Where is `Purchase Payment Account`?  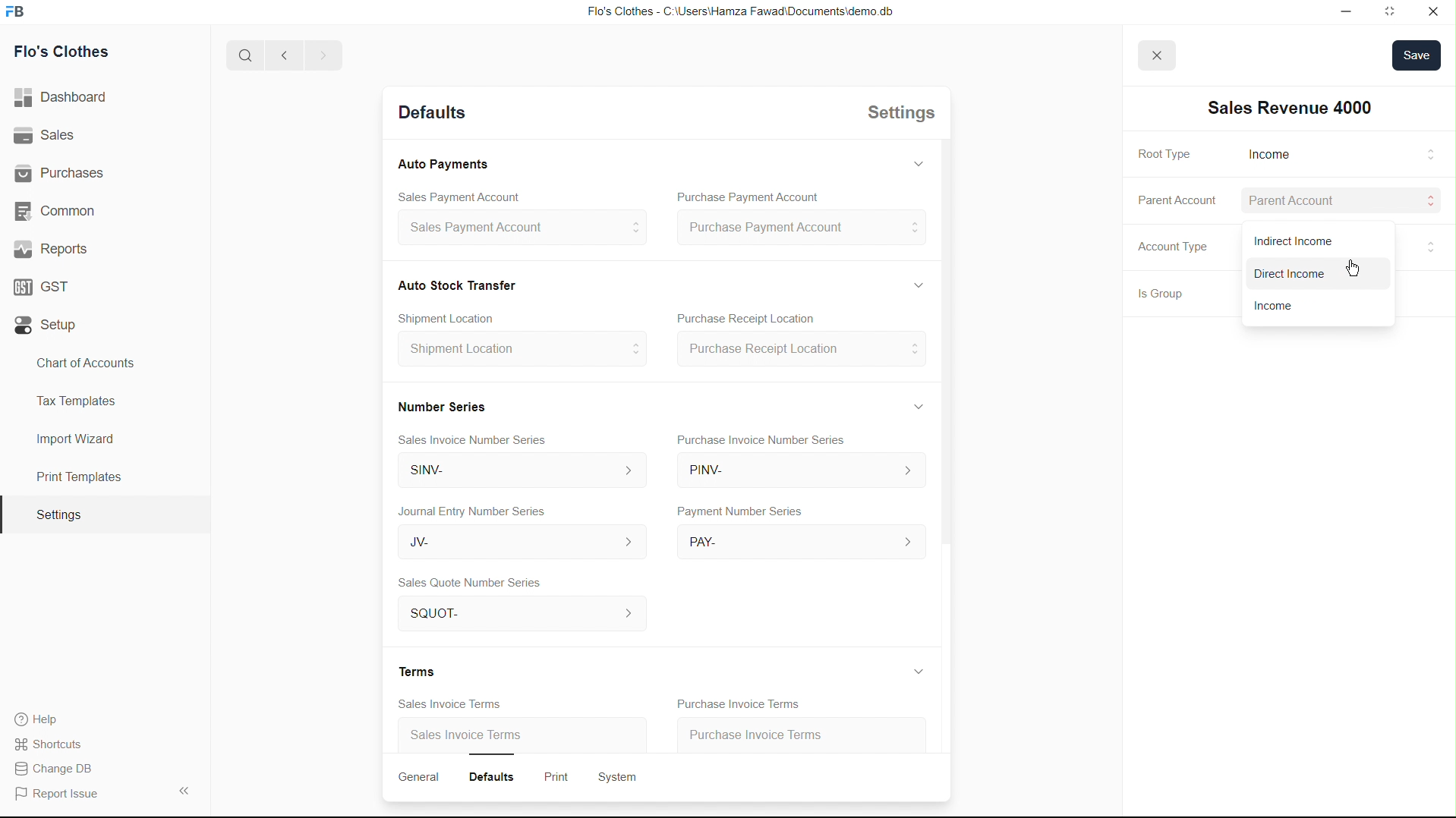
Purchase Payment Account is located at coordinates (800, 228).